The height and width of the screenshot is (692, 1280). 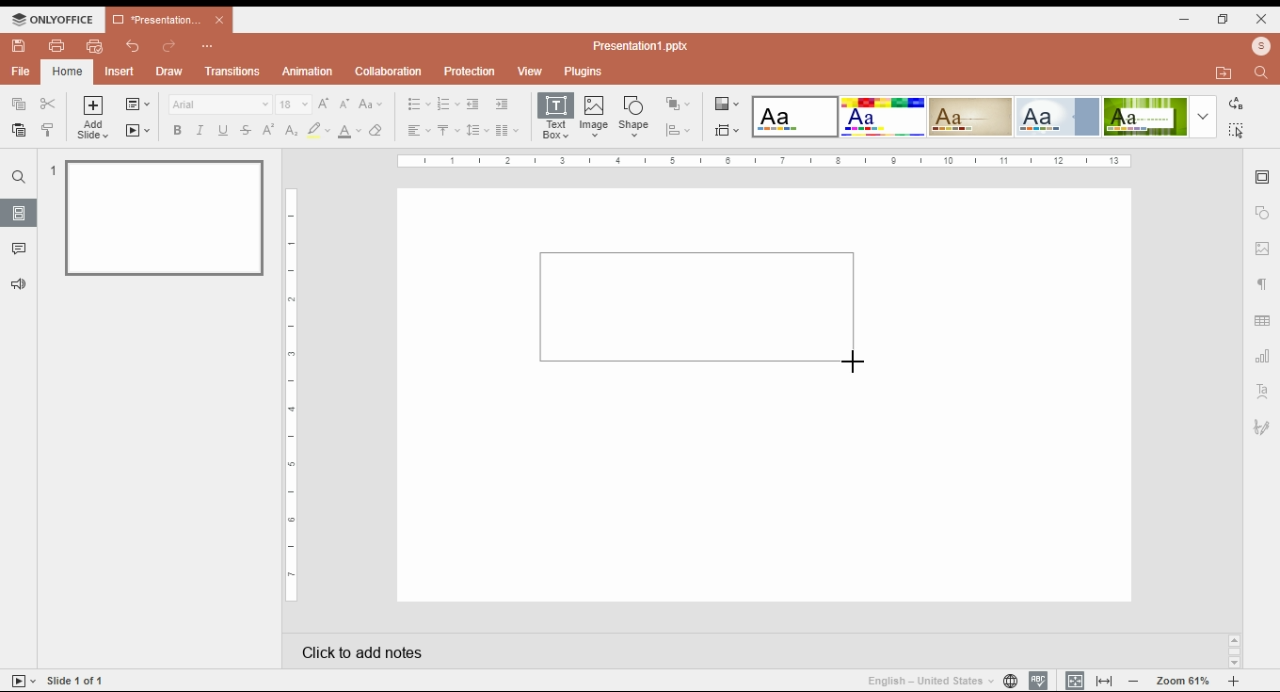 I want to click on redo, so click(x=168, y=48).